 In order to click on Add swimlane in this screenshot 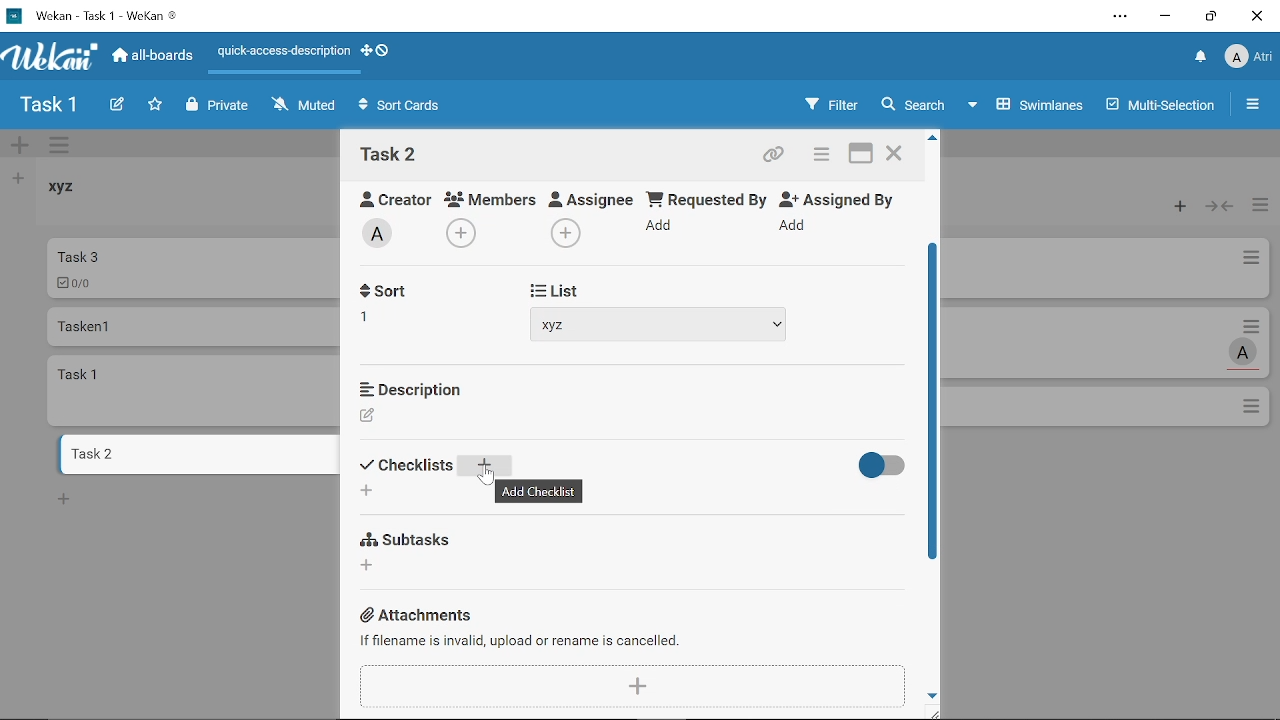, I will do `click(20, 147)`.